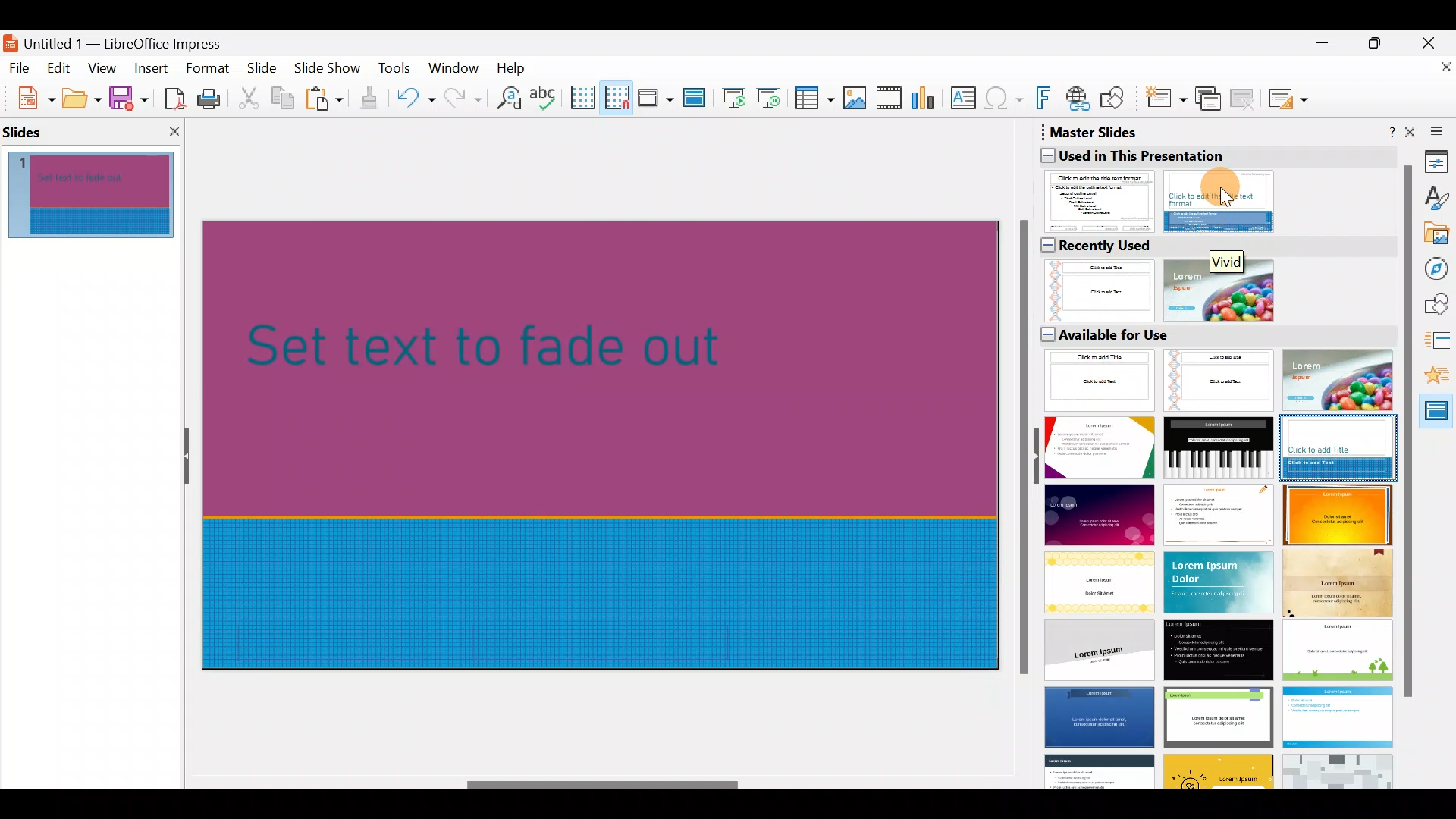  Describe the element at coordinates (264, 69) in the screenshot. I see `Slide` at that location.